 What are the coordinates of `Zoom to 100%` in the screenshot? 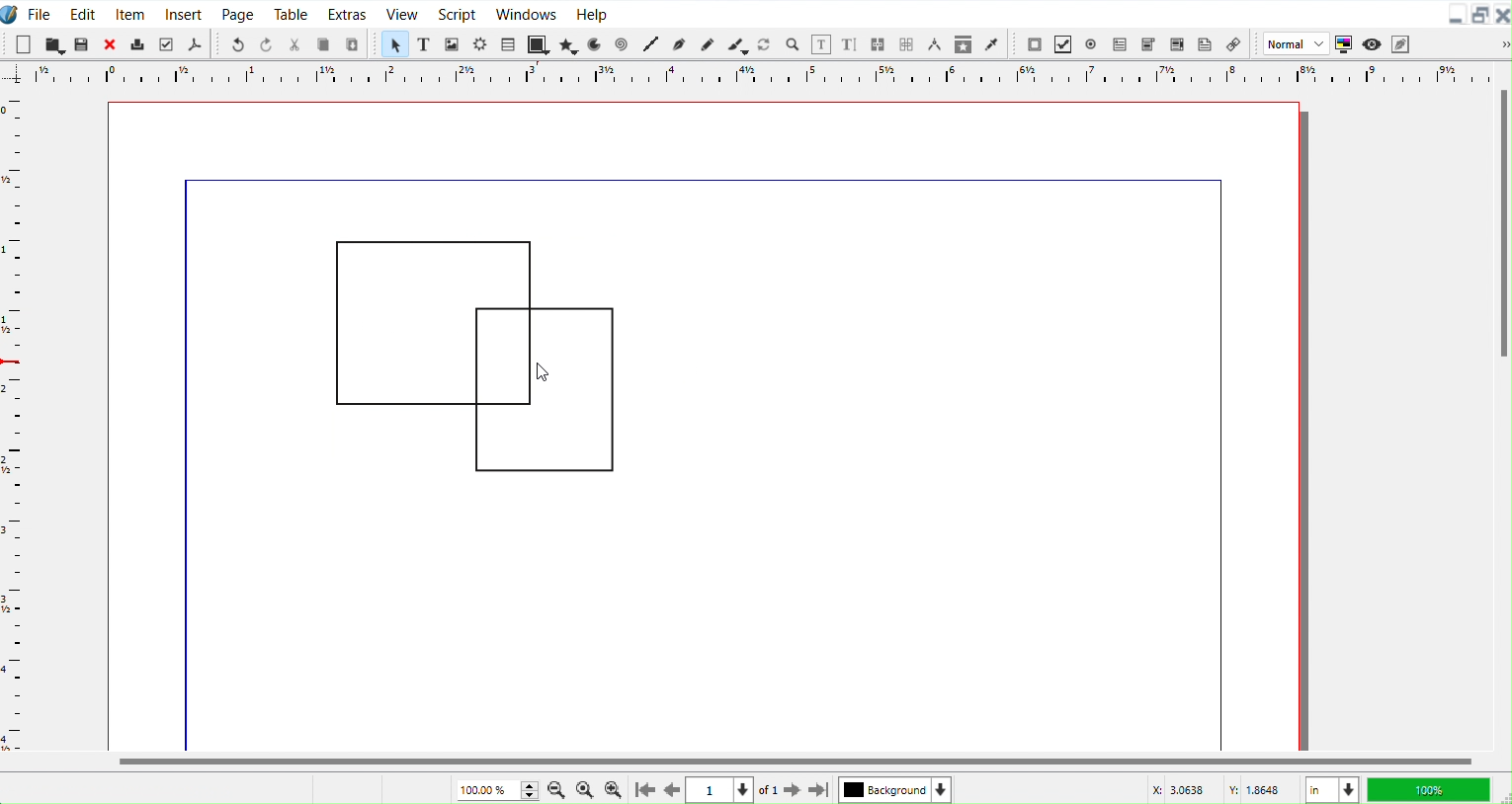 It's located at (585, 789).